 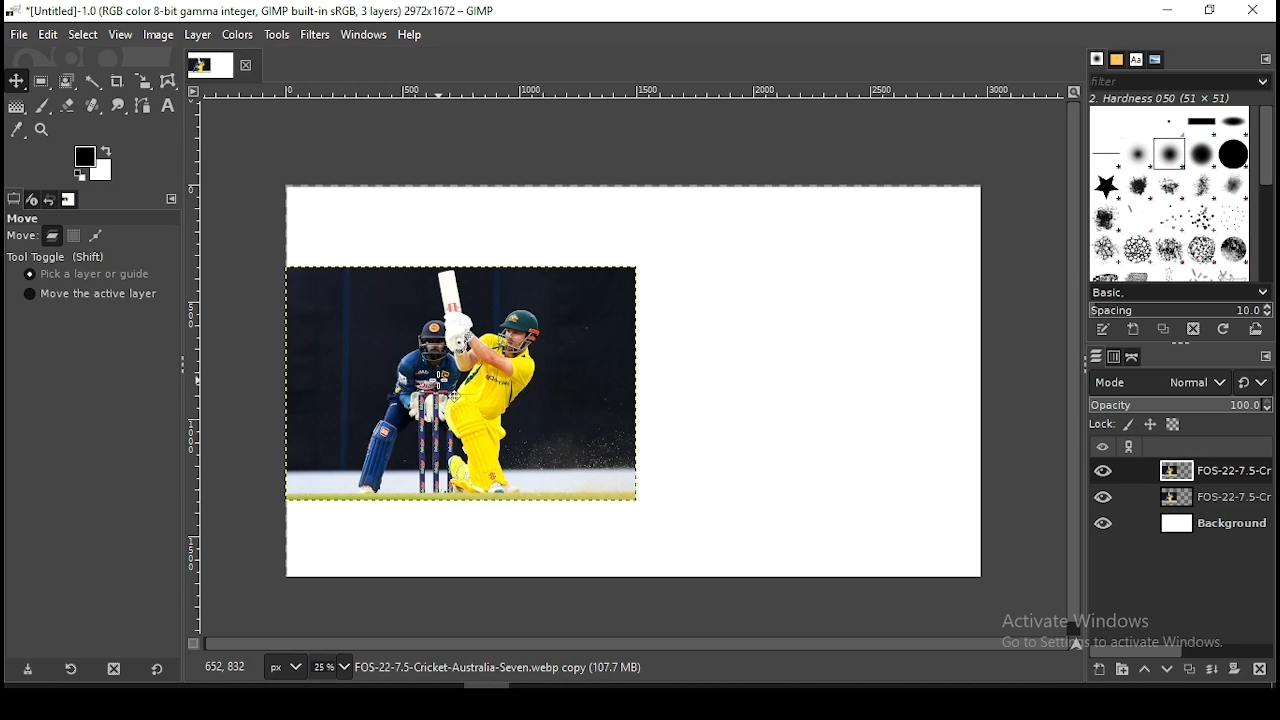 What do you see at coordinates (1104, 470) in the screenshot?
I see `layer visibility on/off` at bounding box center [1104, 470].